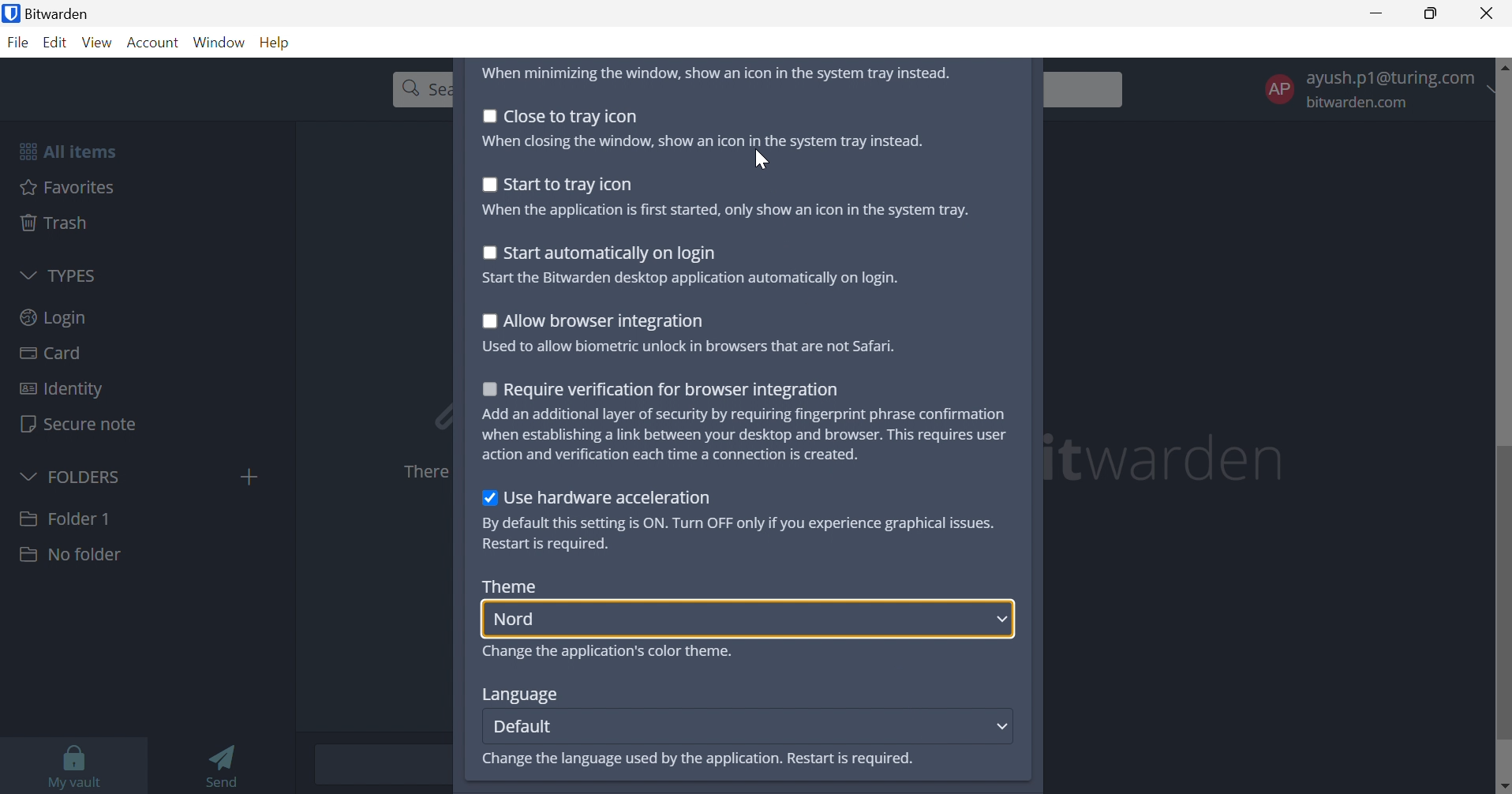 Image resolution: width=1512 pixels, height=794 pixels. What do you see at coordinates (69, 275) in the screenshot?
I see `TYPES` at bounding box center [69, 275].